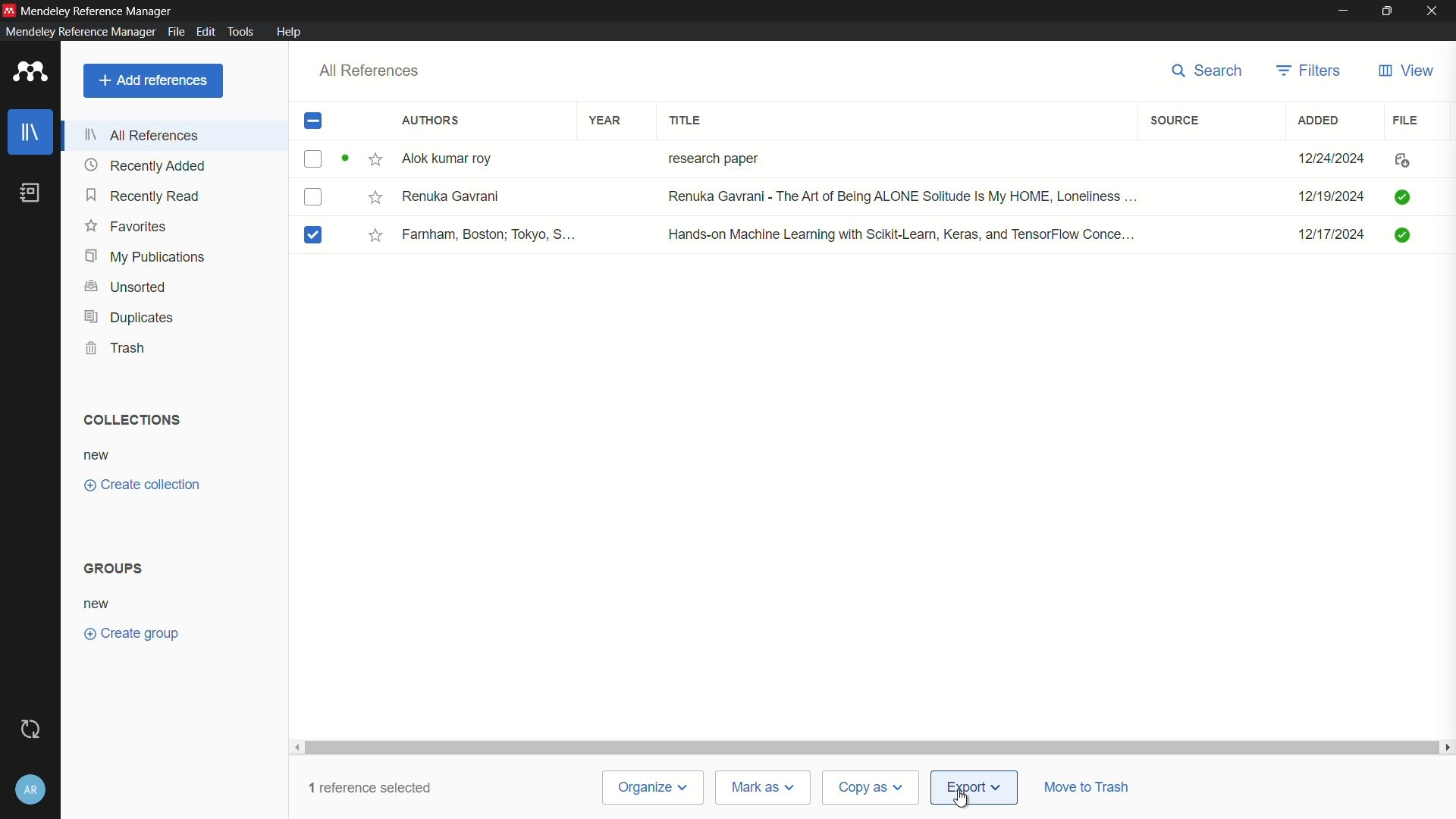 The width and height of the screenshot is (1456, 819). I want to click on unsorted, so click(124, 287).